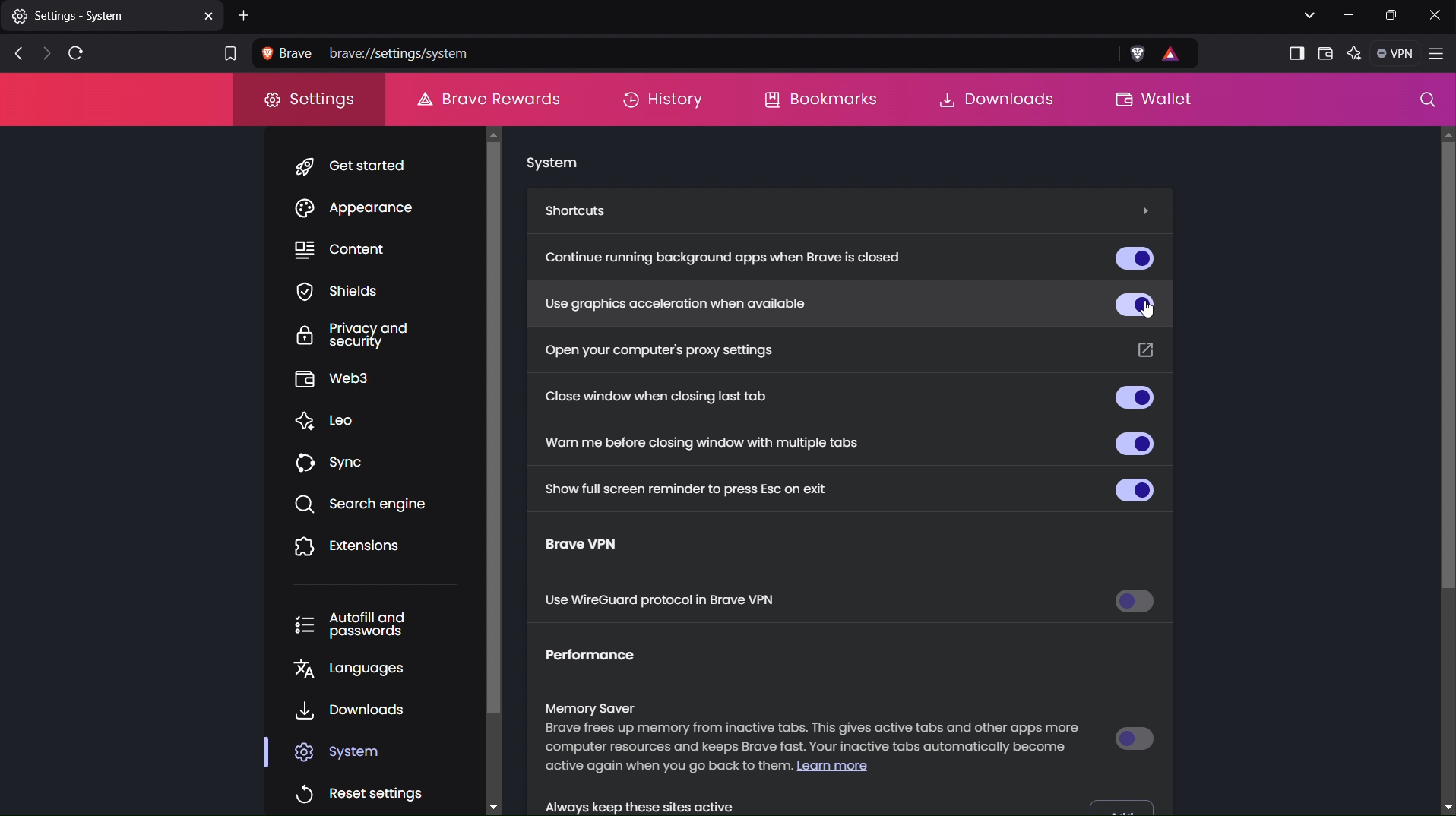  What do you see at coordinates (1138, 442) in the screenshot?
I see `Button` at bounding box center [1138, 442].